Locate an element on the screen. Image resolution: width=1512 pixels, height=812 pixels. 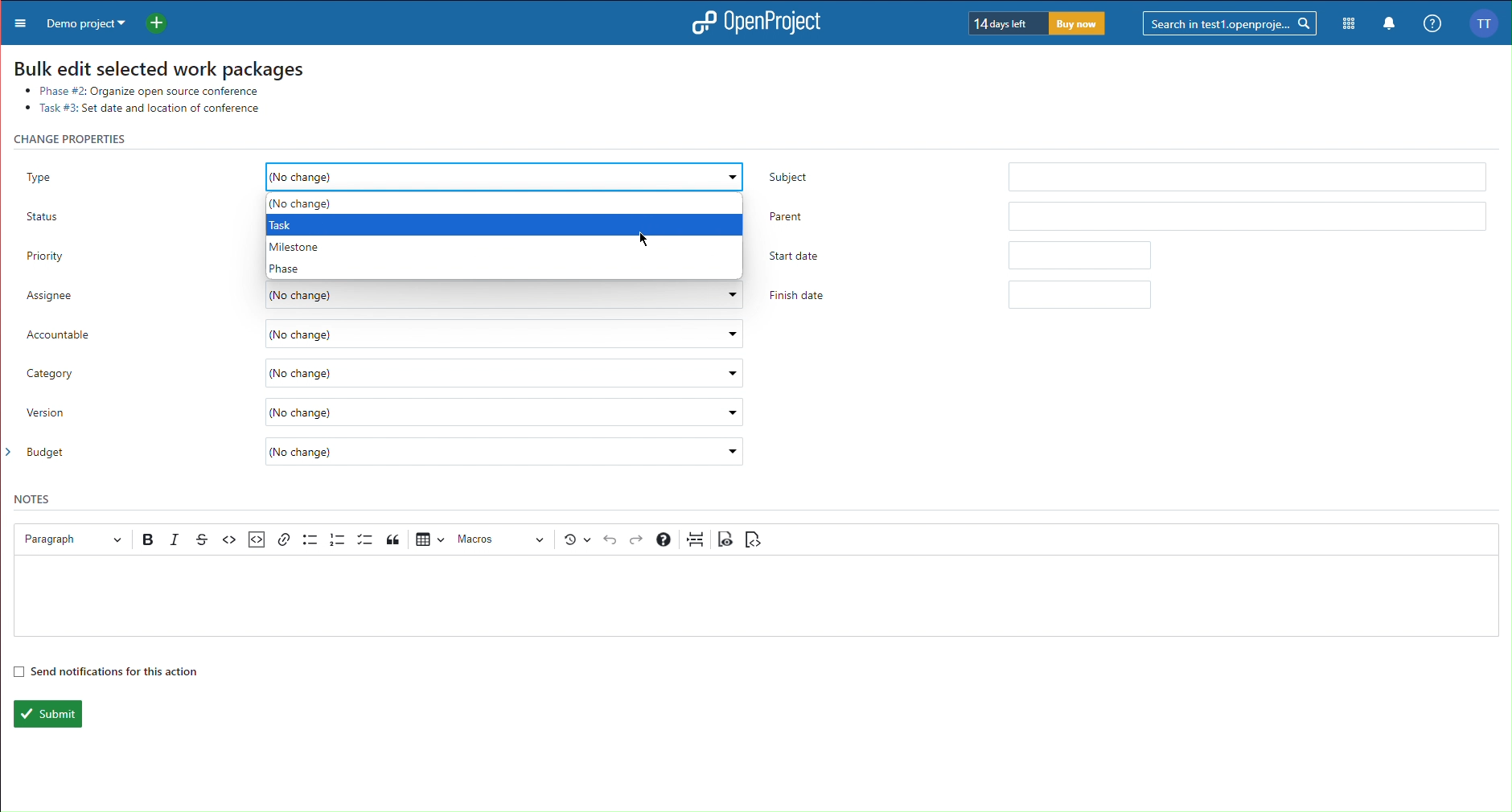
Attachment Settings is located at coordinates (255, 540).